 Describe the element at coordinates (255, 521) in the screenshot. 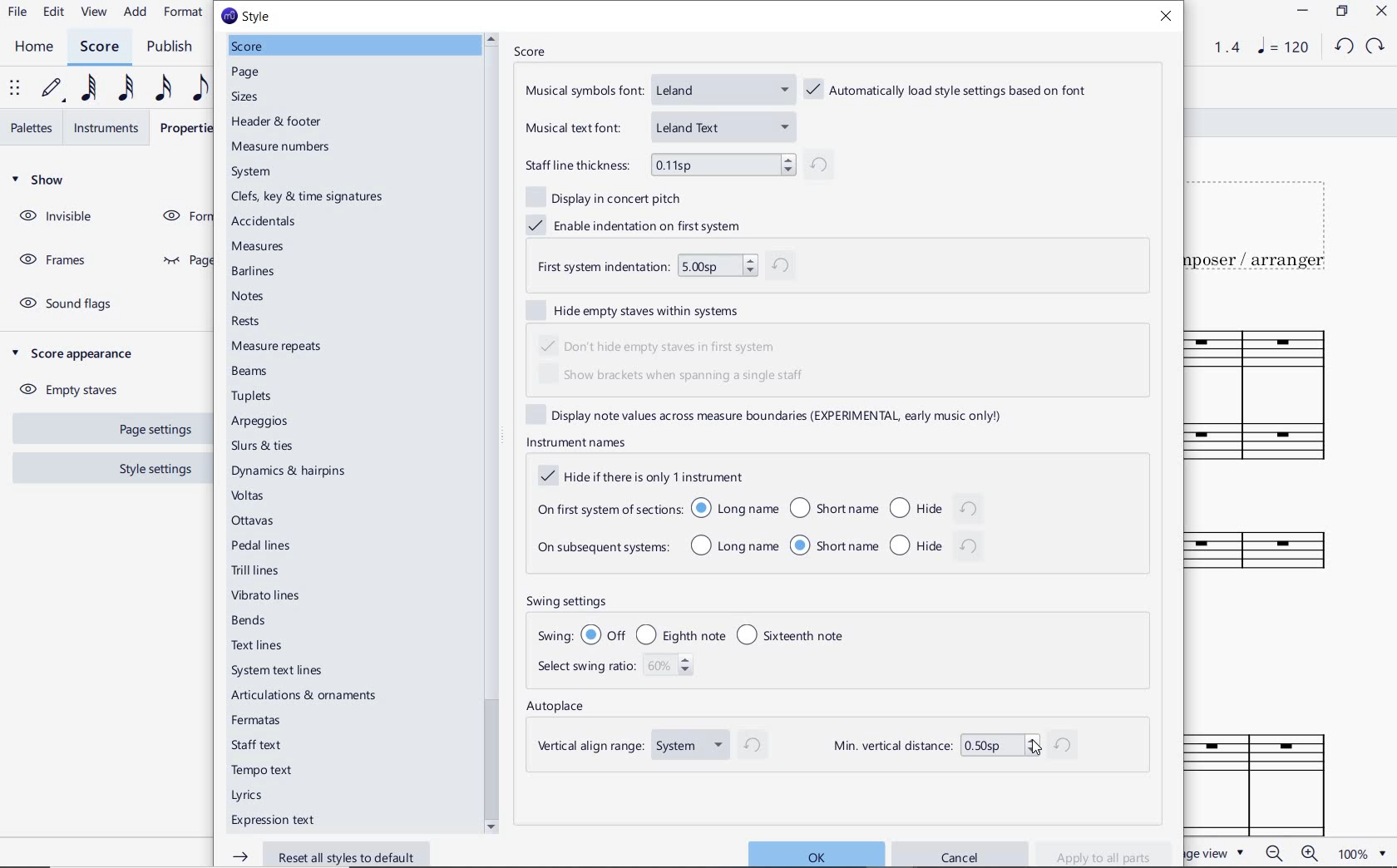

I see `ottavas` at that location.